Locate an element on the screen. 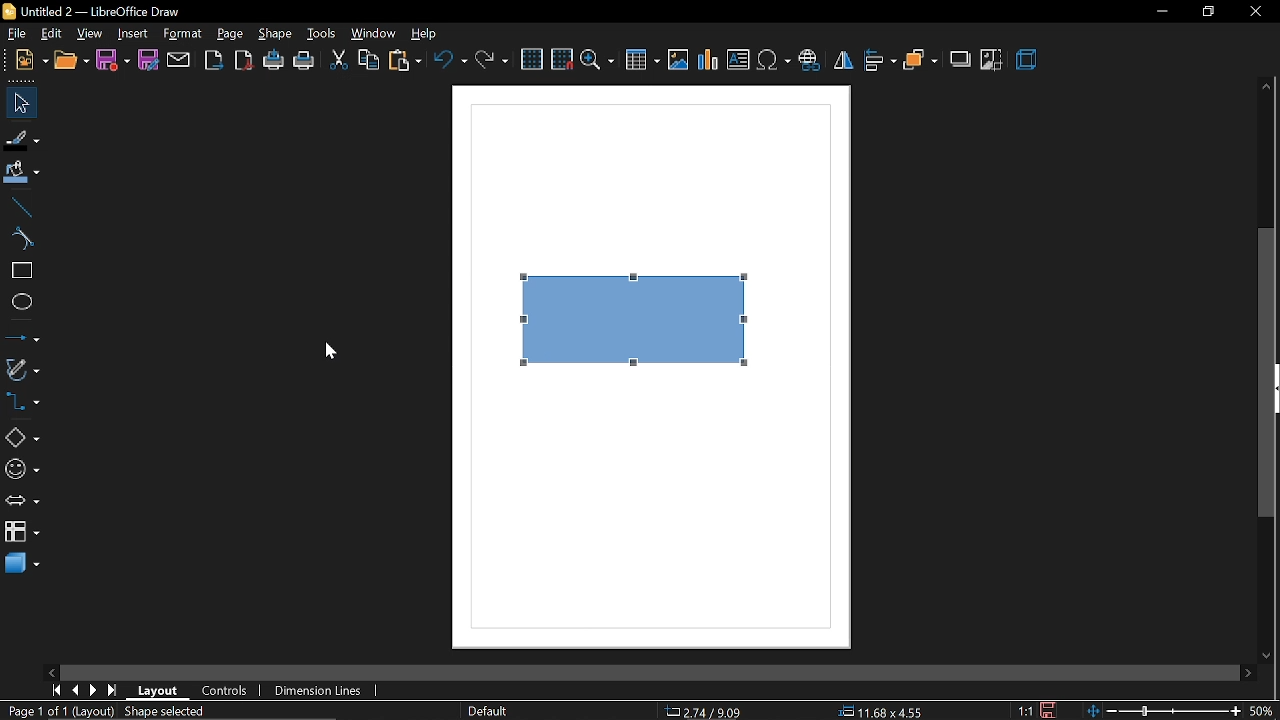 This screenshot has width=1280, height=720. connectors is located at coordinates (22, 401).